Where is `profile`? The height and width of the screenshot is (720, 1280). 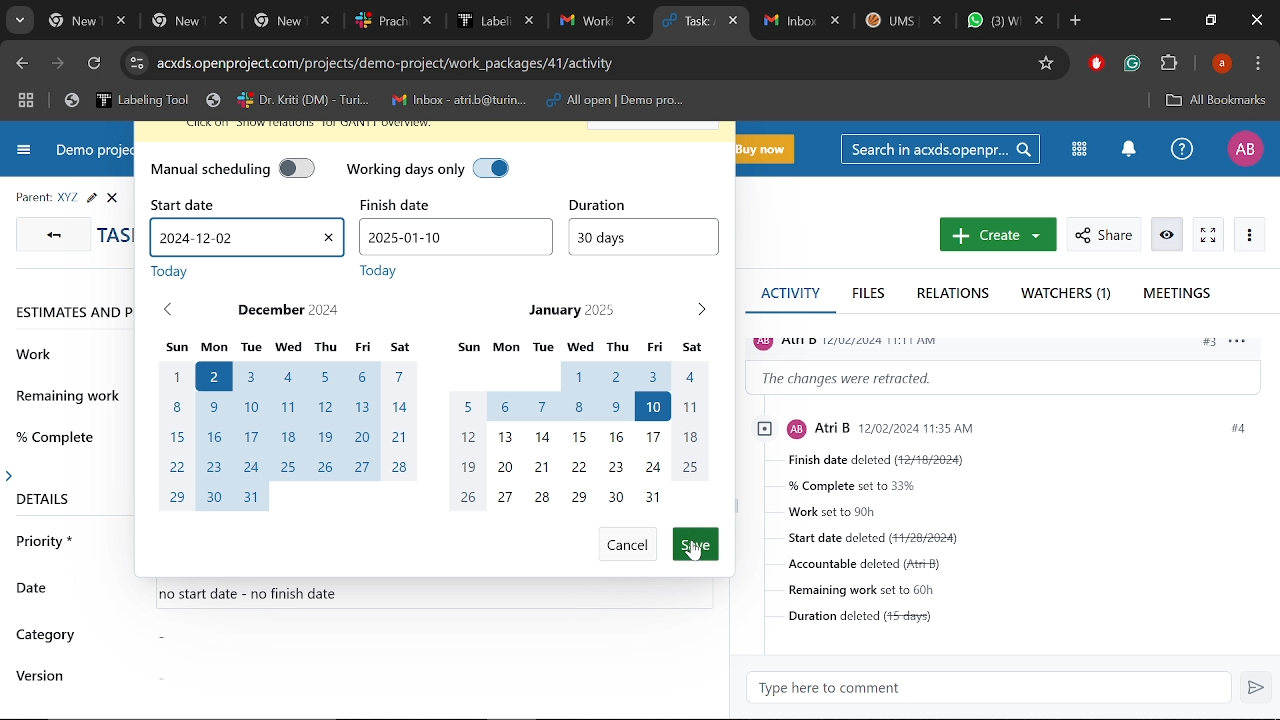
profile is located at coordinates (855, 341).